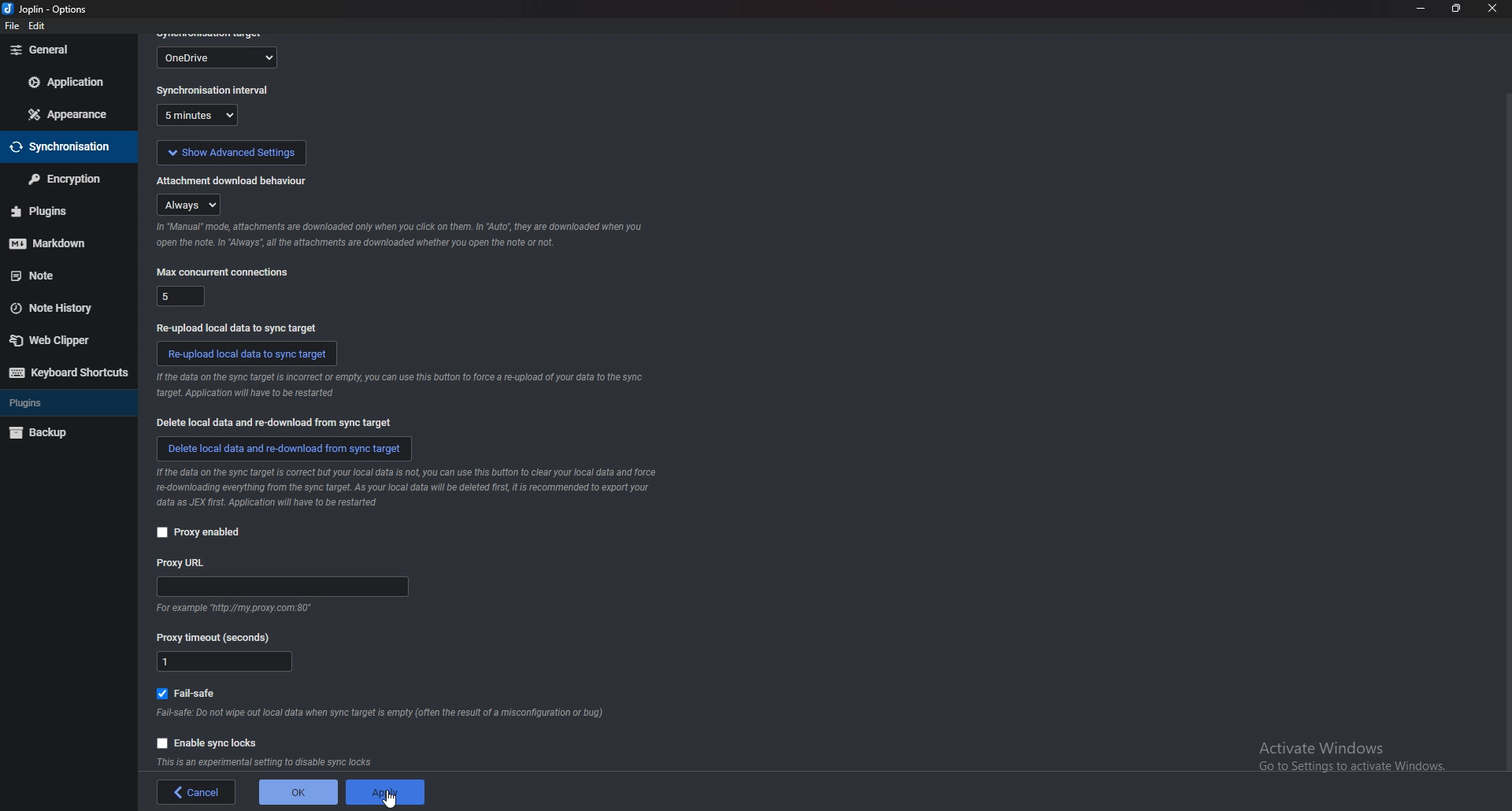 This screenshot has height=811, width=1512. I want to click on info, so click(398, 235).